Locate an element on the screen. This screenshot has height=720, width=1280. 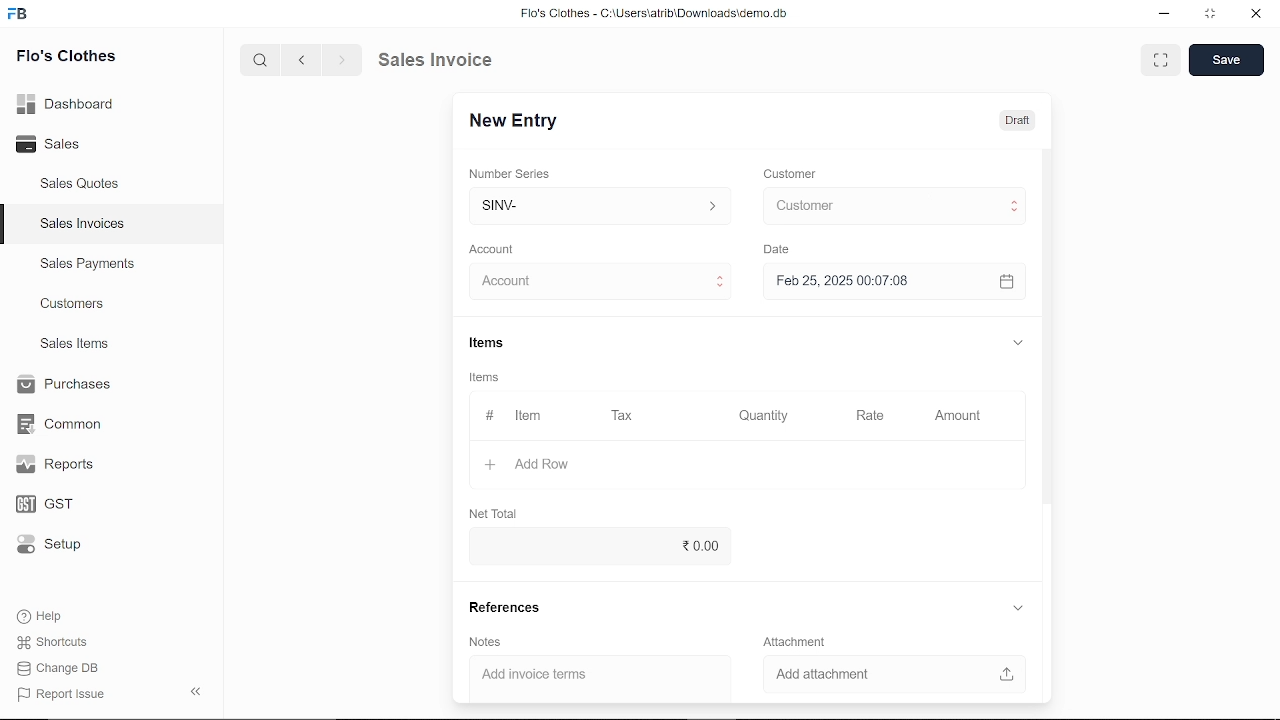
Purchases is located at coordinates (67, 386).